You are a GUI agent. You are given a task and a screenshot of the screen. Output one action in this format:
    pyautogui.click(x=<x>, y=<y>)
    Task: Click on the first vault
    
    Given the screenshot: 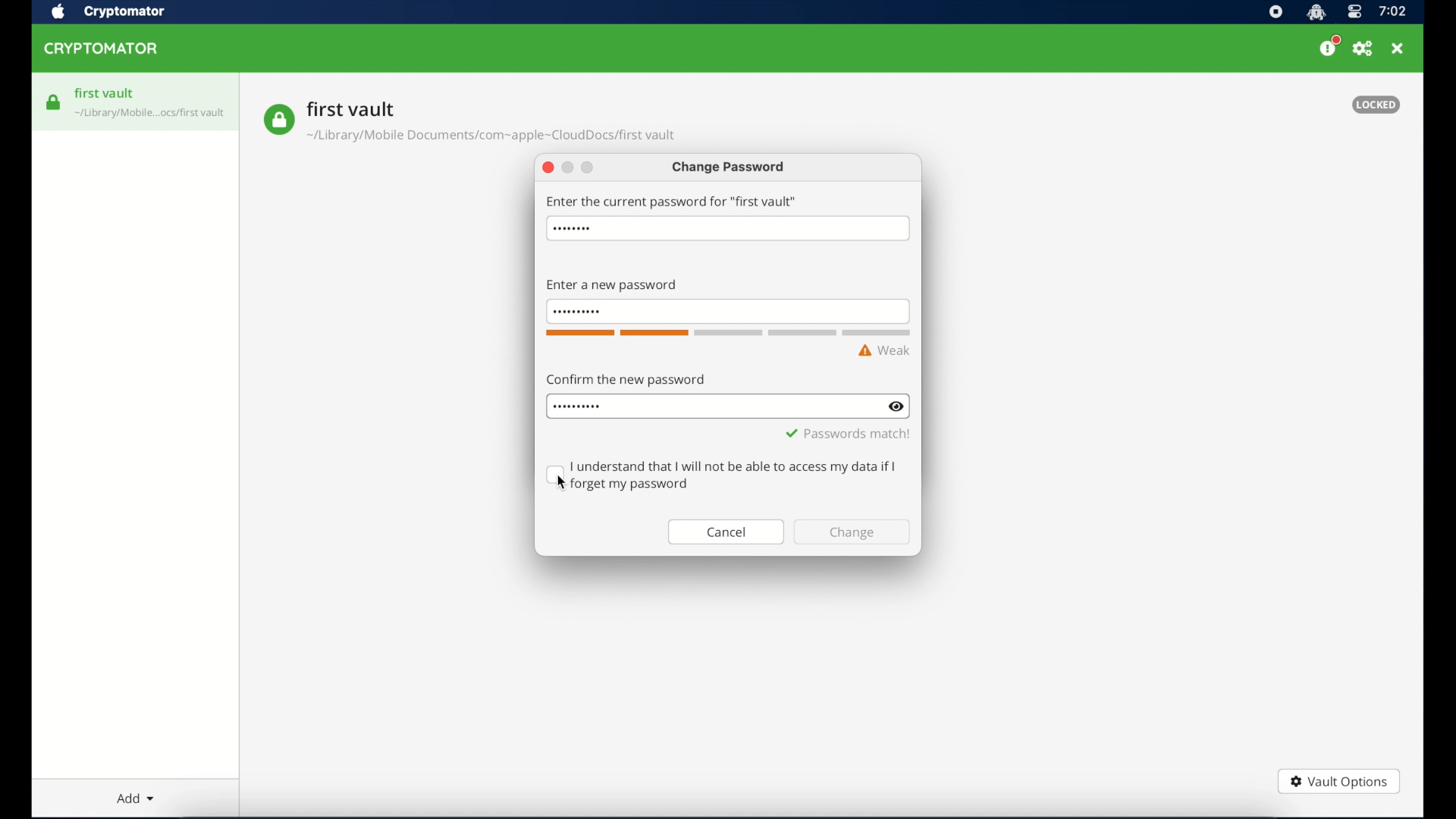 What is the action you would take?
    pyautogui.click(x=105, y=93)
    